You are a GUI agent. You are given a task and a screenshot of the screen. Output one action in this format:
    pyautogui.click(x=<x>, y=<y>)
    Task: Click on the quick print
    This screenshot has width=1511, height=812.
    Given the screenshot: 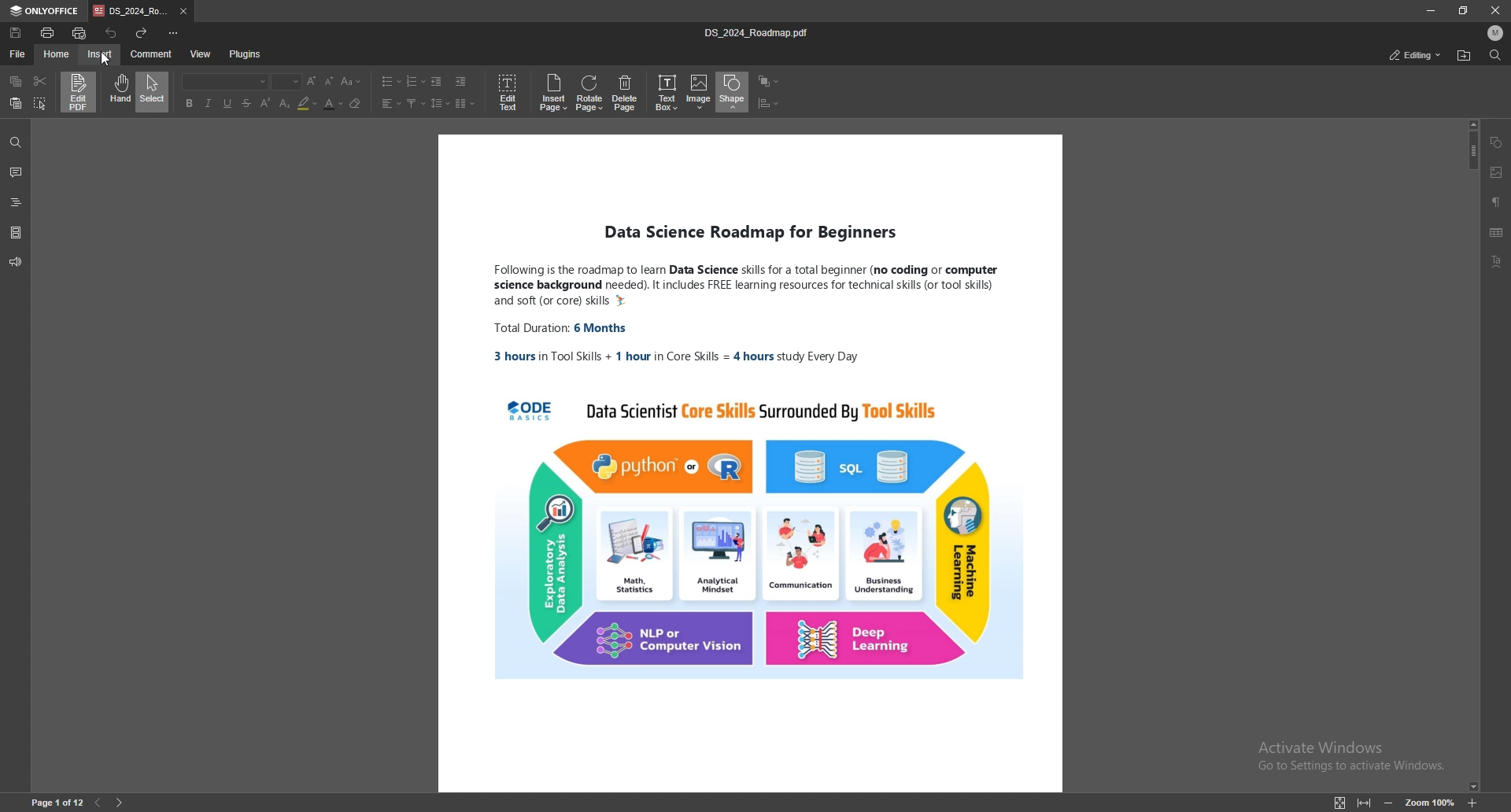 What is the action you would take?
    pyautogui.click(x=81, y=33)
    